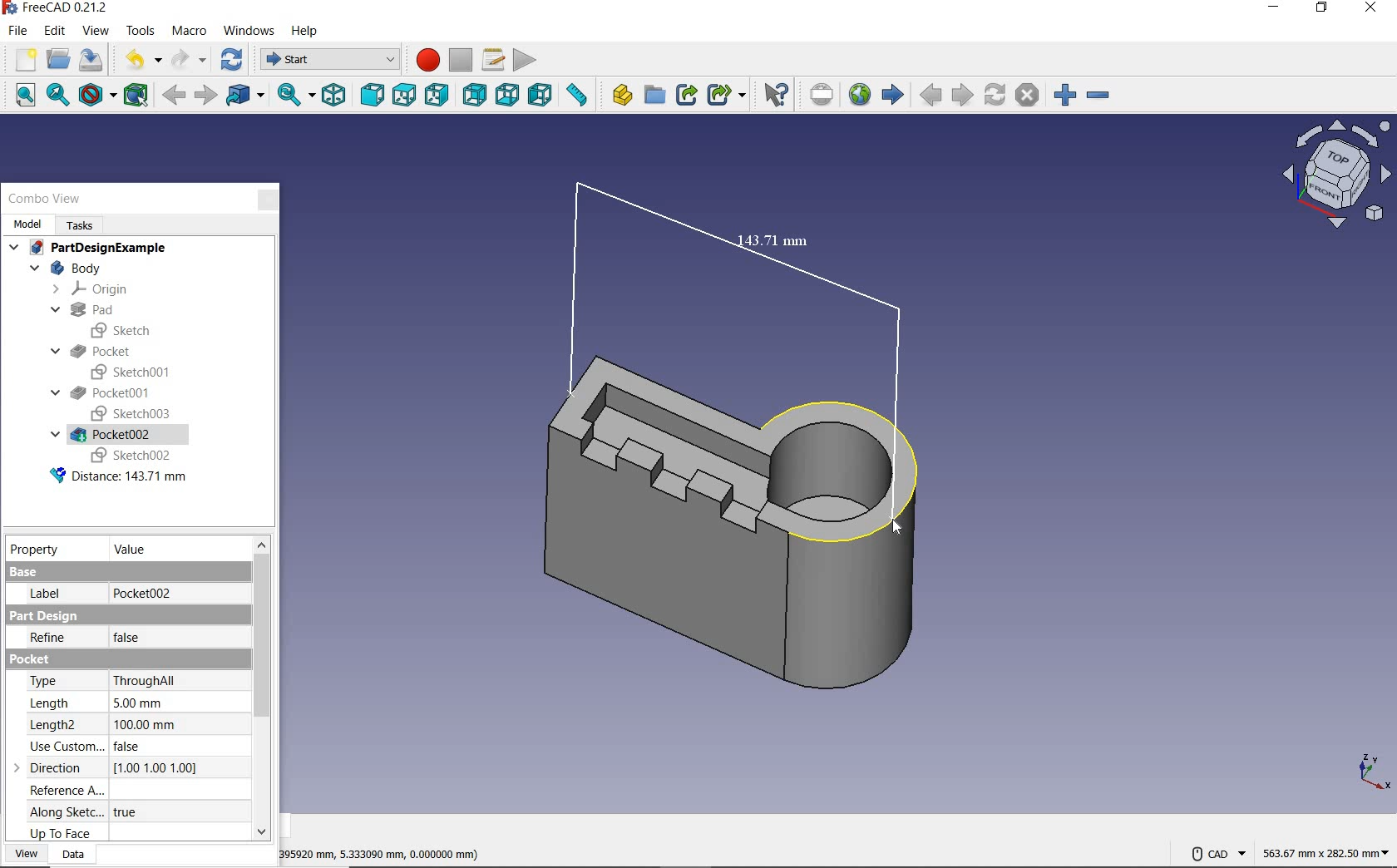  Describe the element at coordinates (1098, 96) in the screenshot. I see `zoom out` at that location.